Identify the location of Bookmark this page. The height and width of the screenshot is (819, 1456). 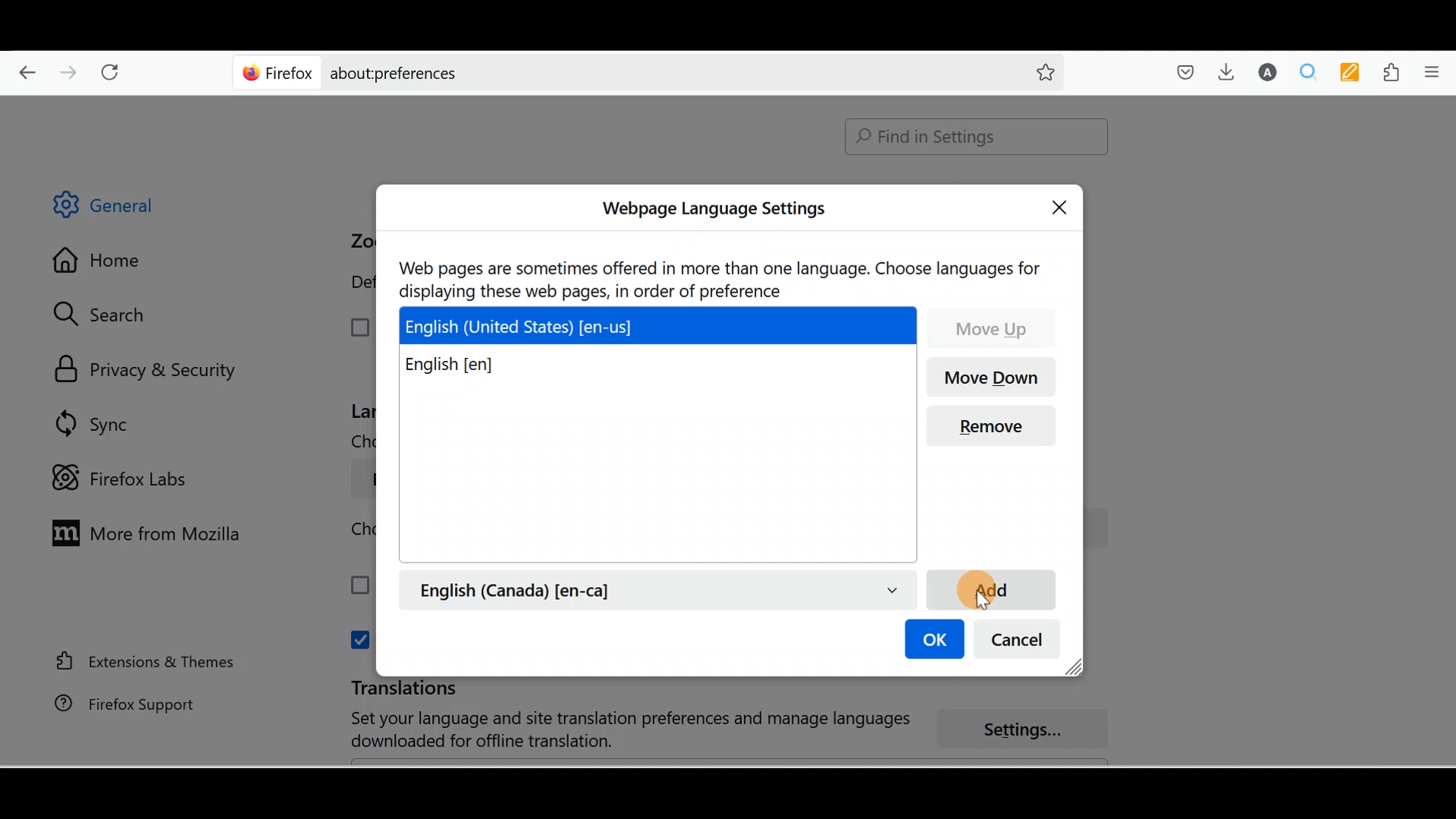
(1034, 71).